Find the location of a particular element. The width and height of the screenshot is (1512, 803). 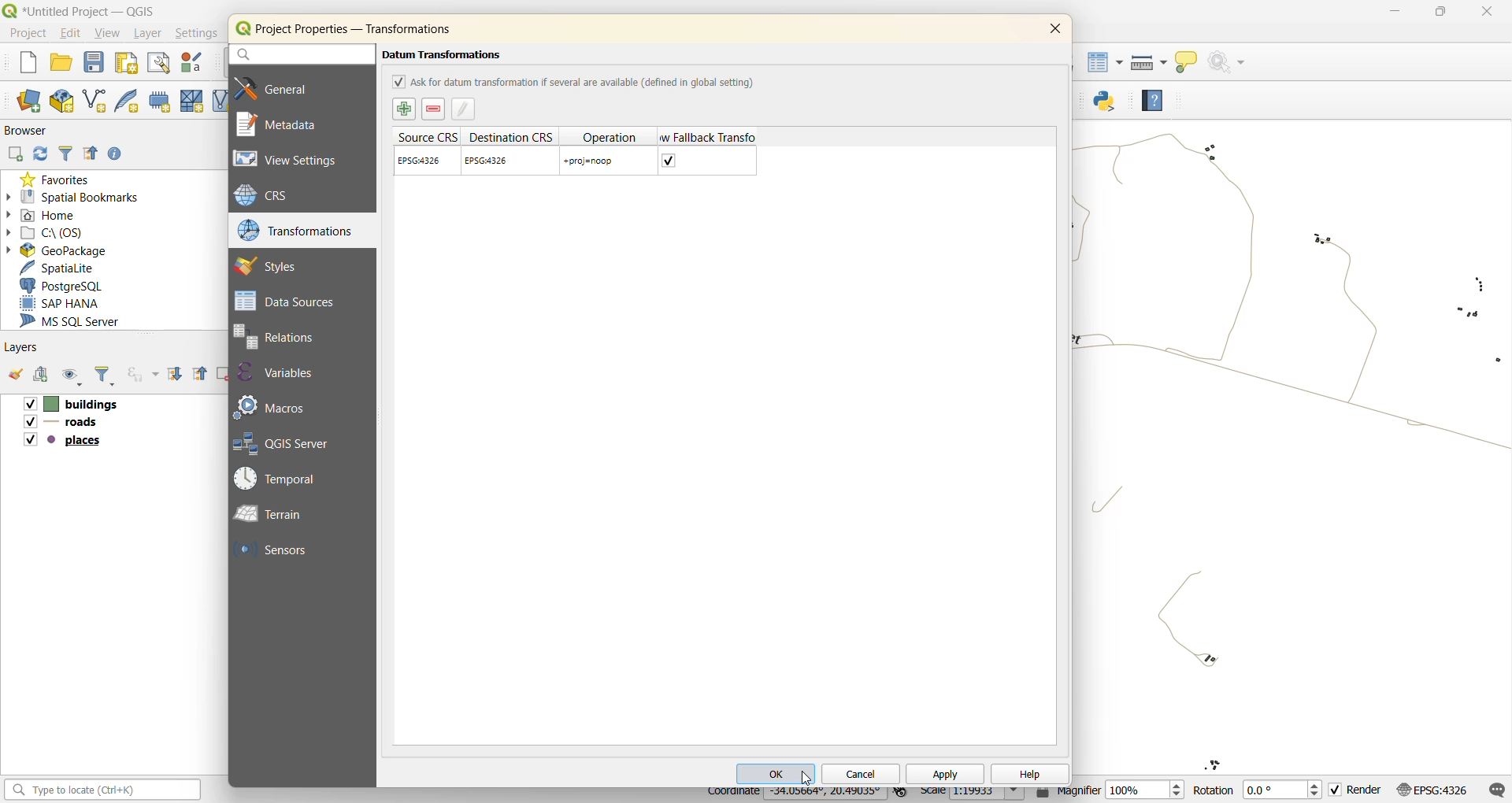

new virtual layout is located at coordinates (220, 98).